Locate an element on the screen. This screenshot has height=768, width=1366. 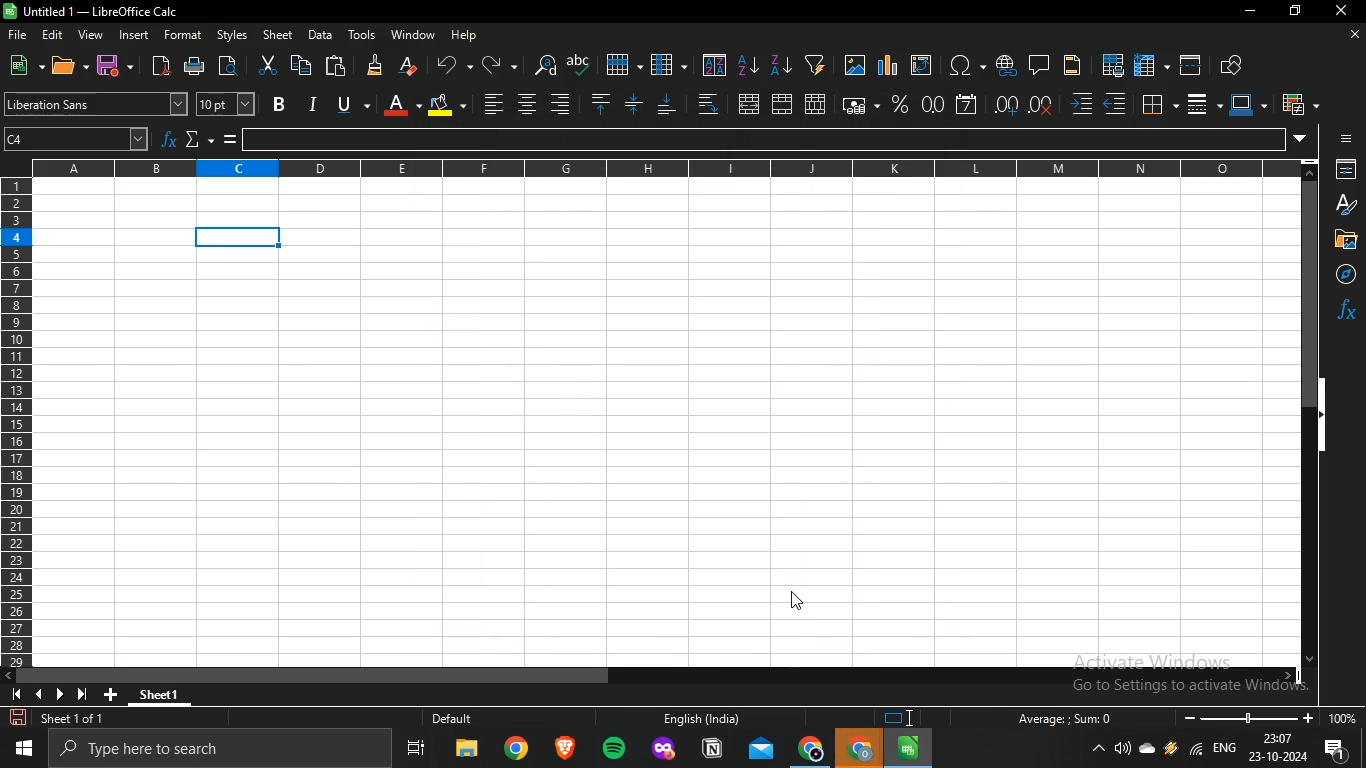
onedrive -personal is located at coordinates (1147, 753).